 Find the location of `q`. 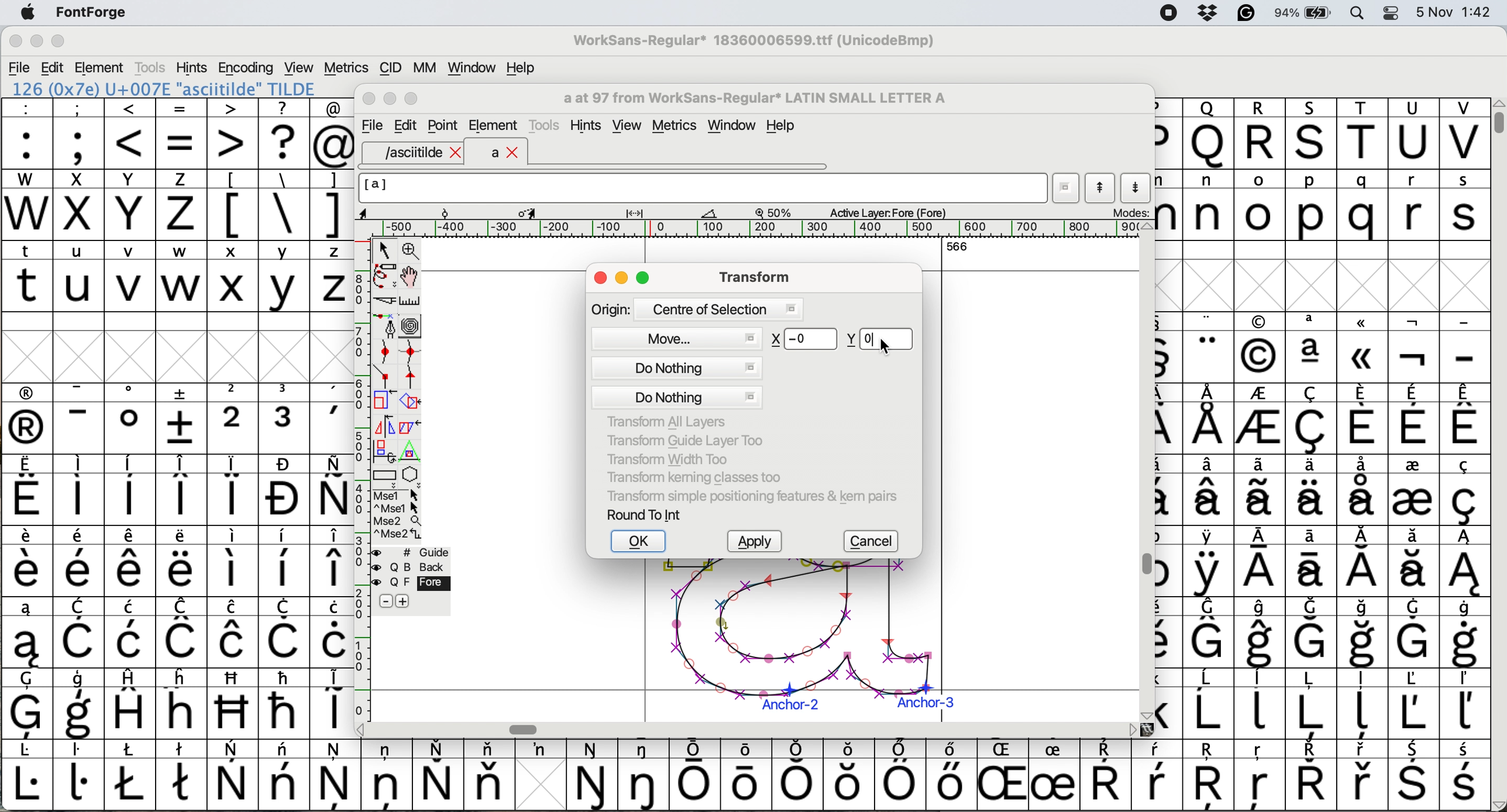

q is located at coordinates (1365, 206).